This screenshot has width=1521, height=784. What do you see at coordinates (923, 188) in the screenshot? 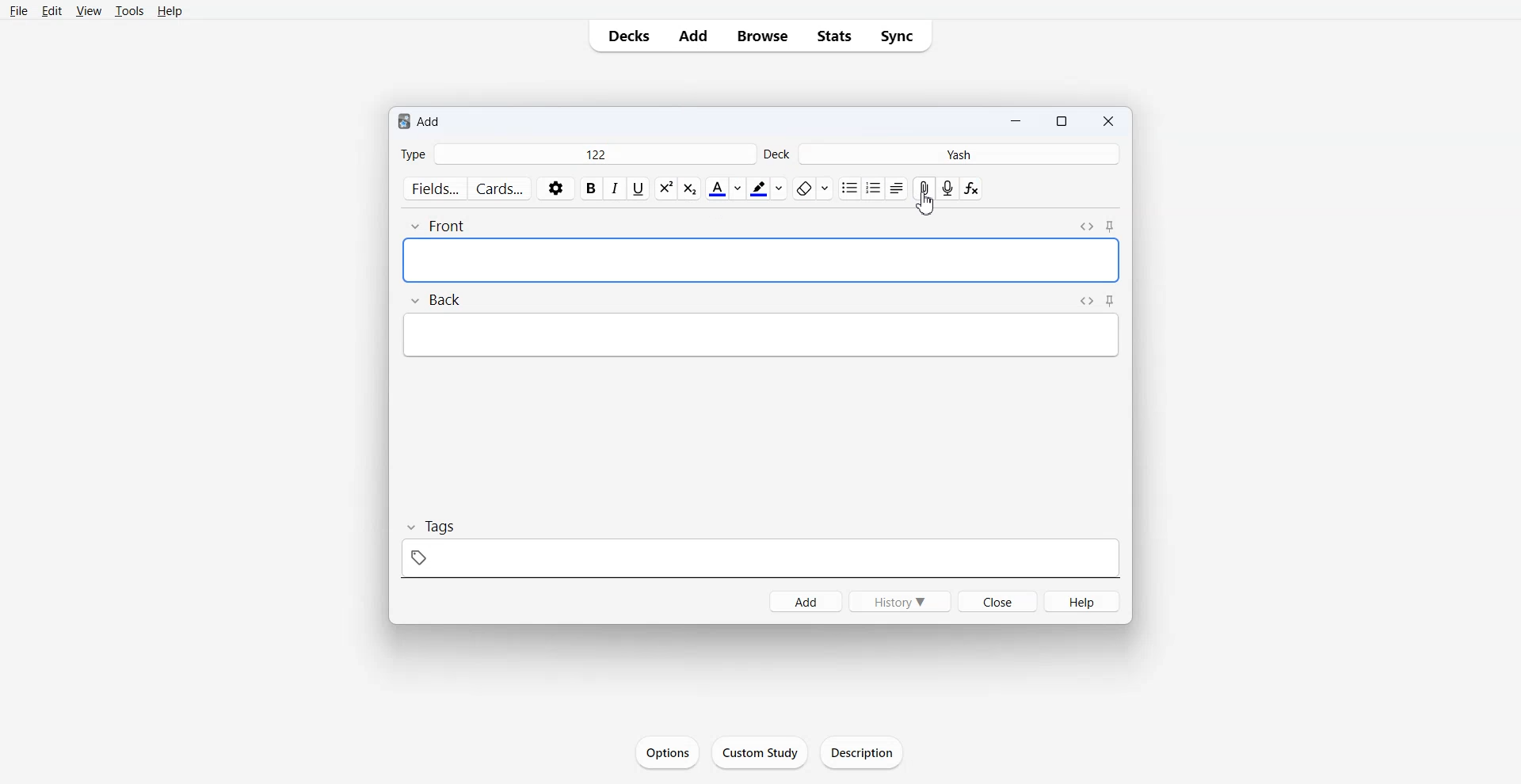
I see `Attached File` at bounding box center [923, 188].